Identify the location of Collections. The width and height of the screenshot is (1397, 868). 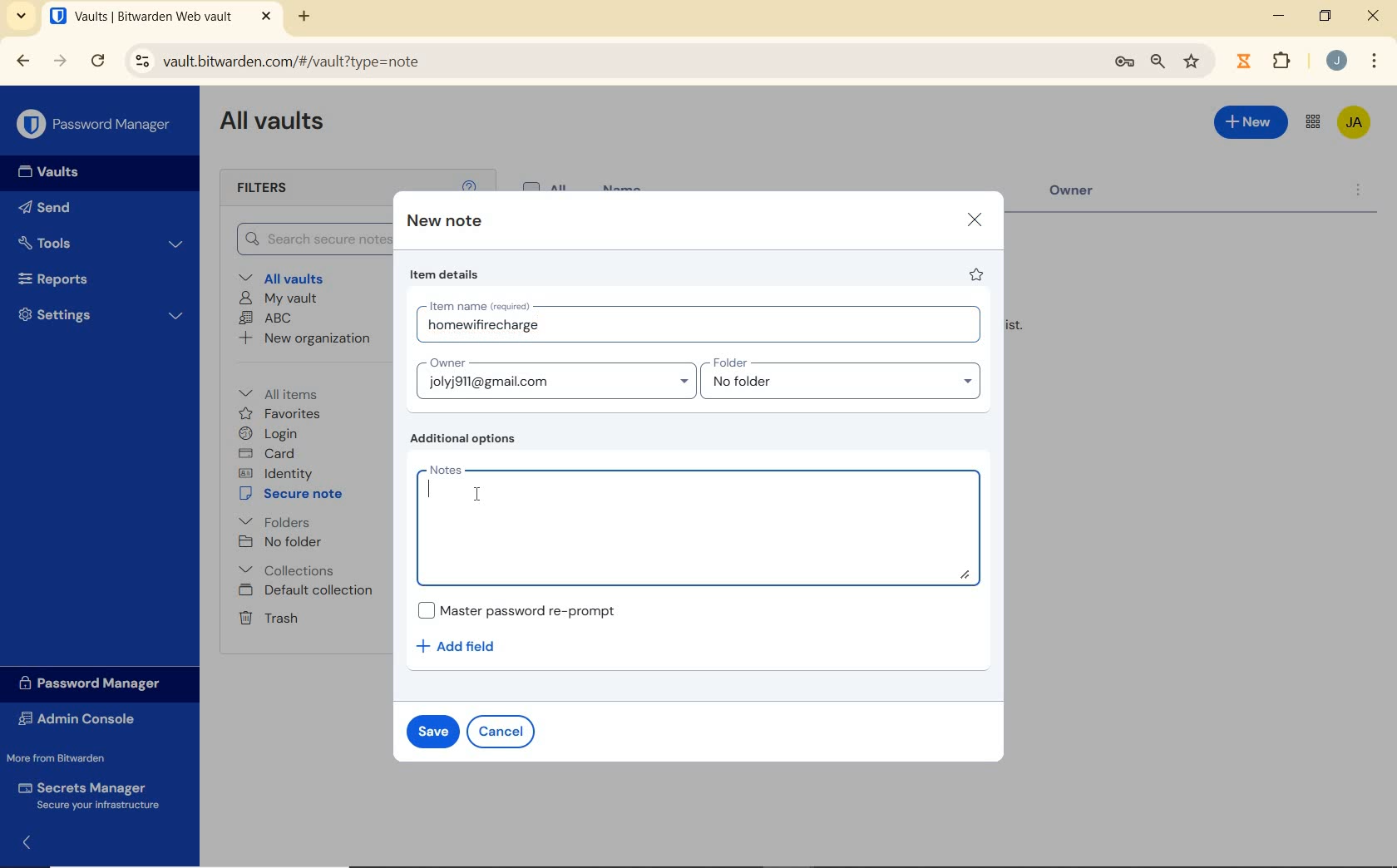
(290, 570).